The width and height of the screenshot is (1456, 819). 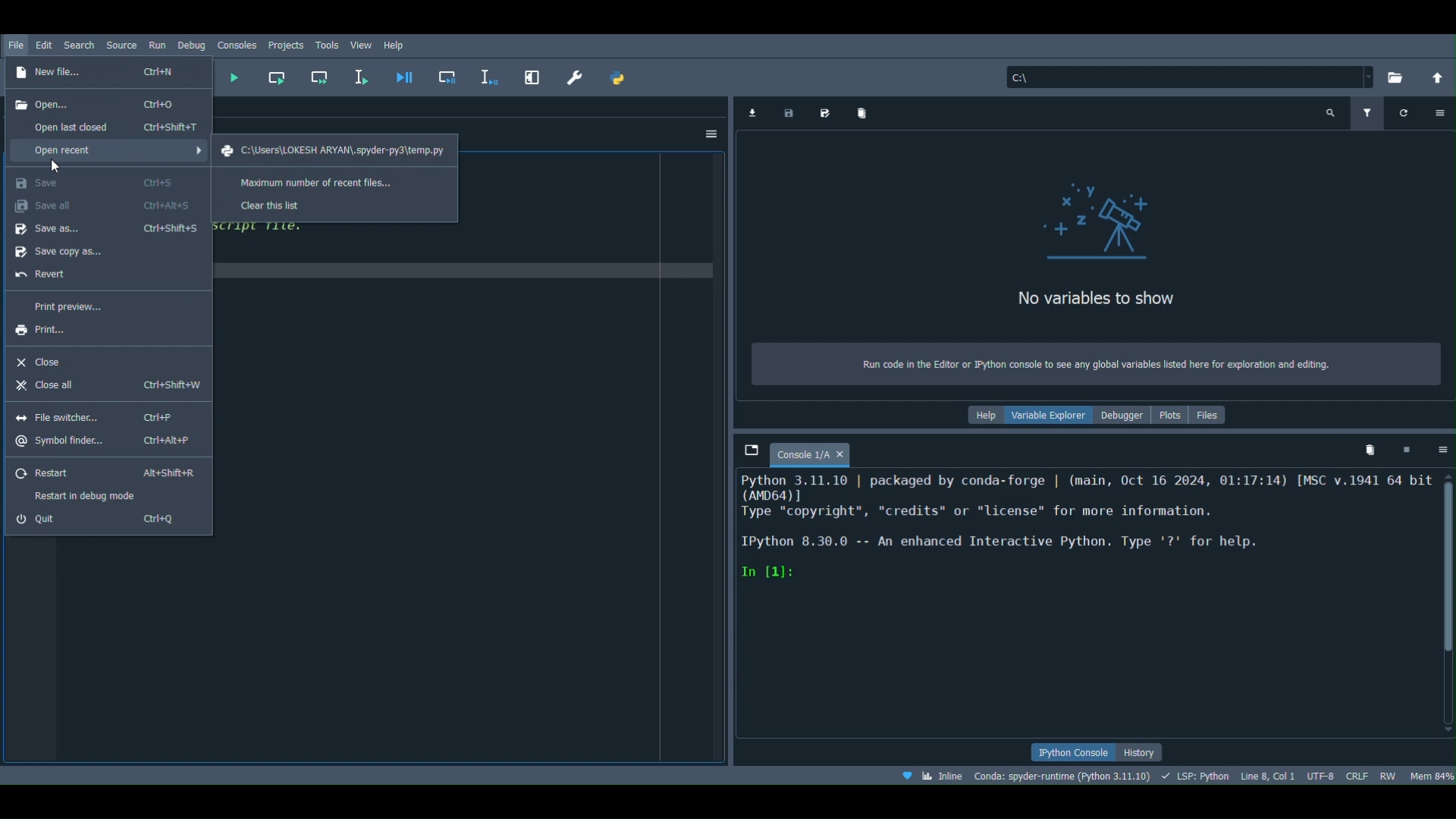 What do you see at coordinates (840, 453) in the screenshot?
I see `close` at bounding box center [840, 453].